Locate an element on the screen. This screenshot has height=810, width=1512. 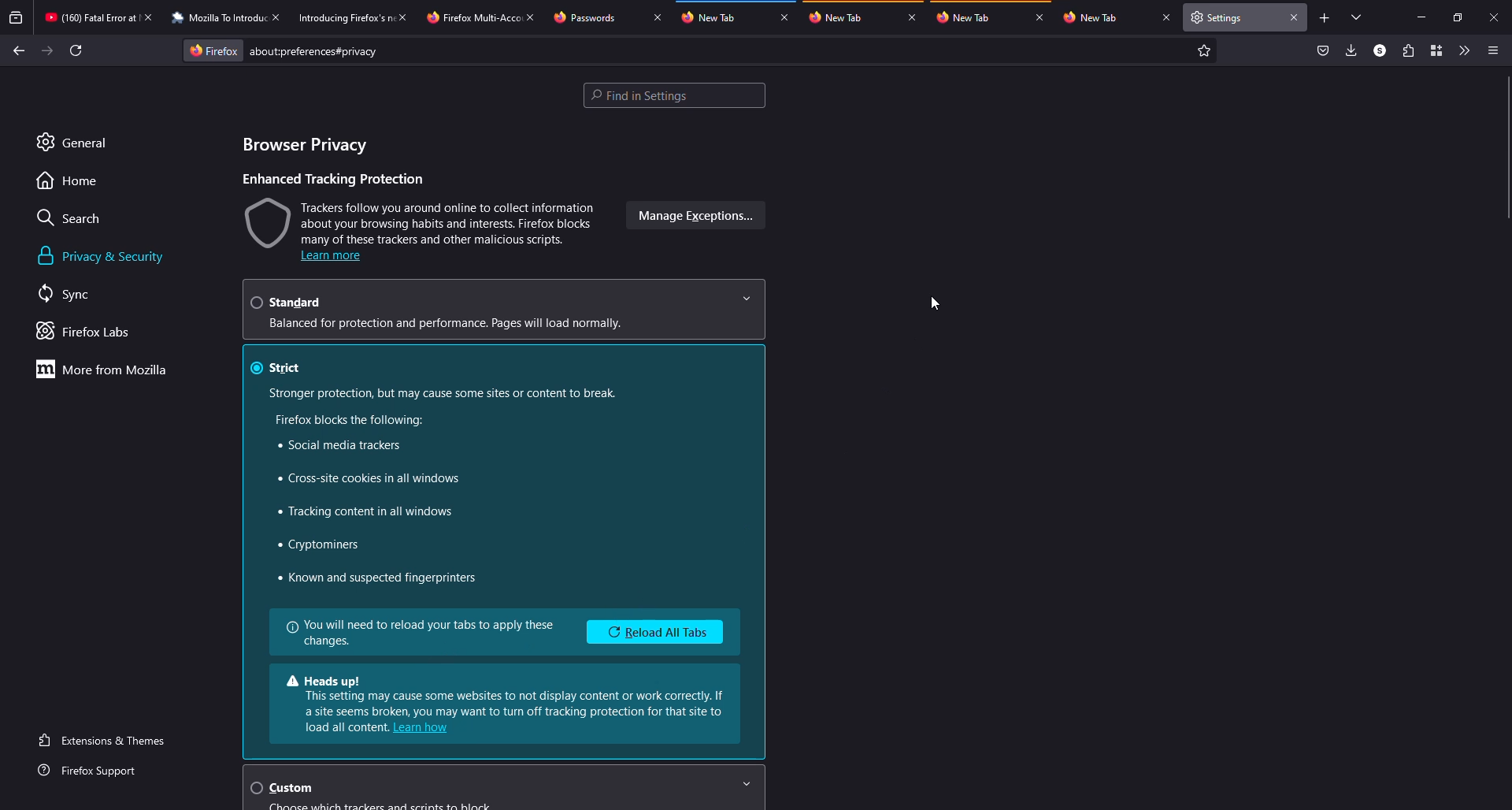
cross-site cookies in all windows is located at coordinates (369, 479).